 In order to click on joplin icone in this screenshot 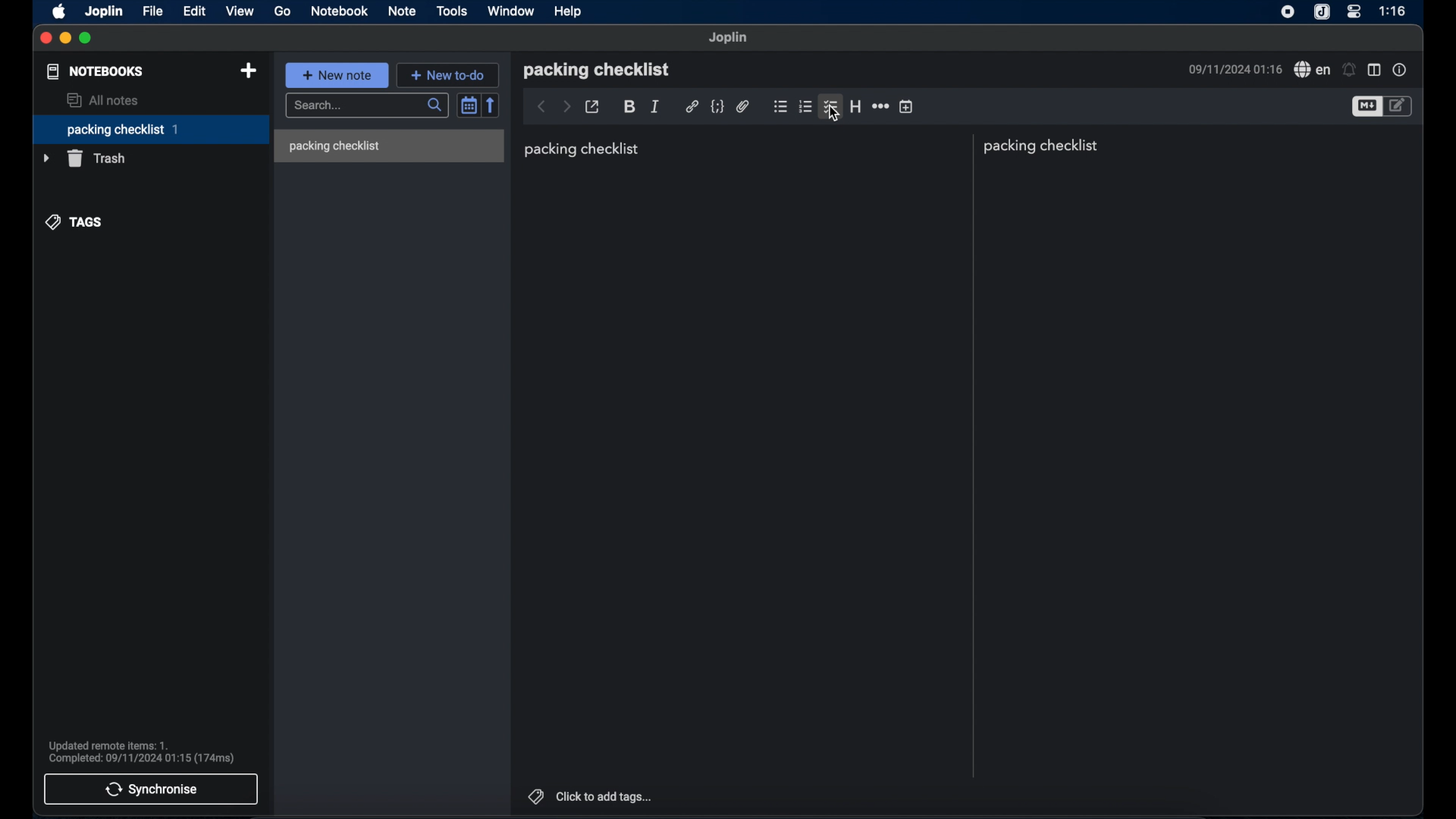, I will do `click(1322, 12)`.